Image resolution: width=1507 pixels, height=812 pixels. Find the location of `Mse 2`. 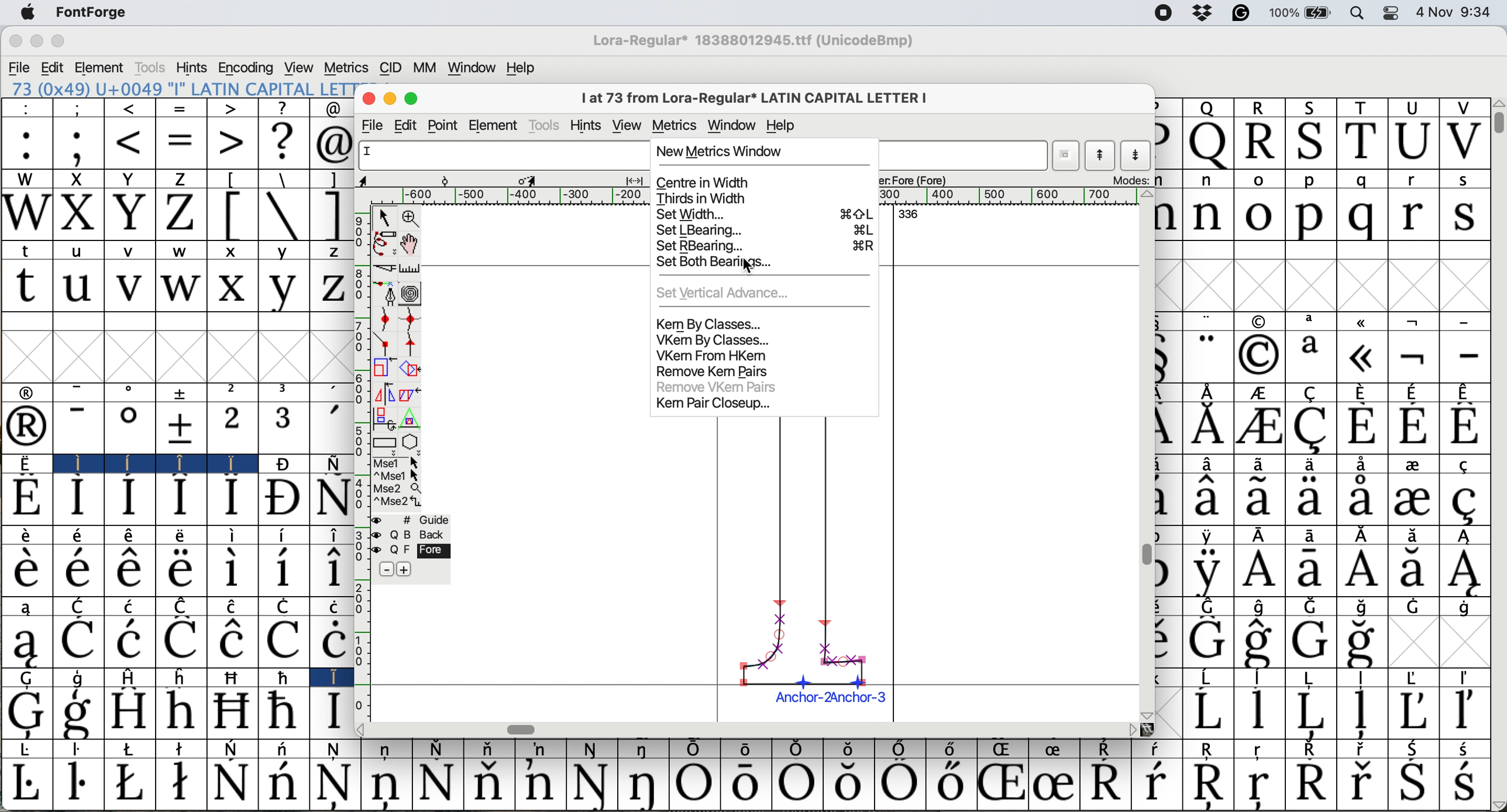

Mse 2 is located at coordinates (399, 488).